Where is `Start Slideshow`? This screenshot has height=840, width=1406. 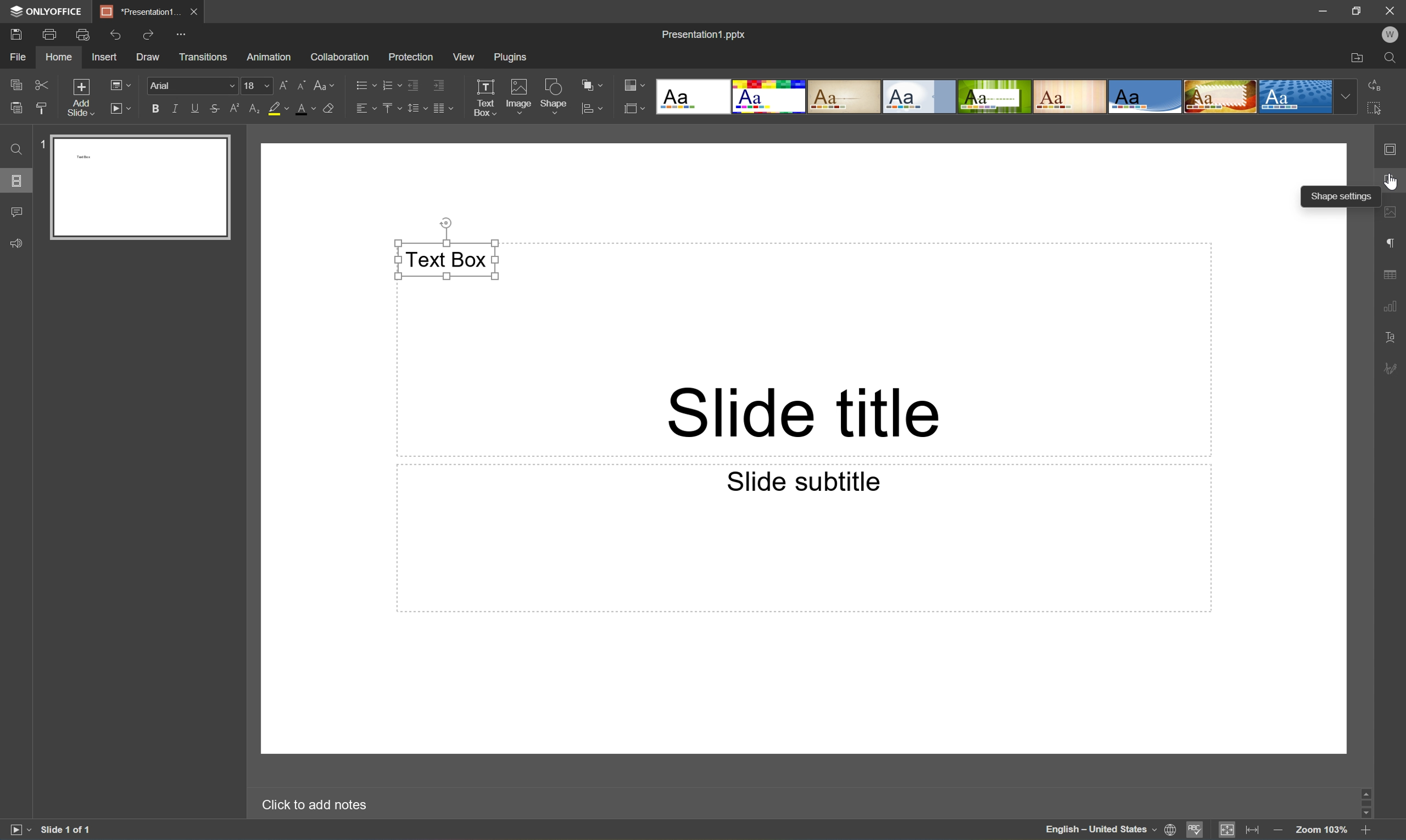
Start Slideshow is located at coordinates (119, 108).